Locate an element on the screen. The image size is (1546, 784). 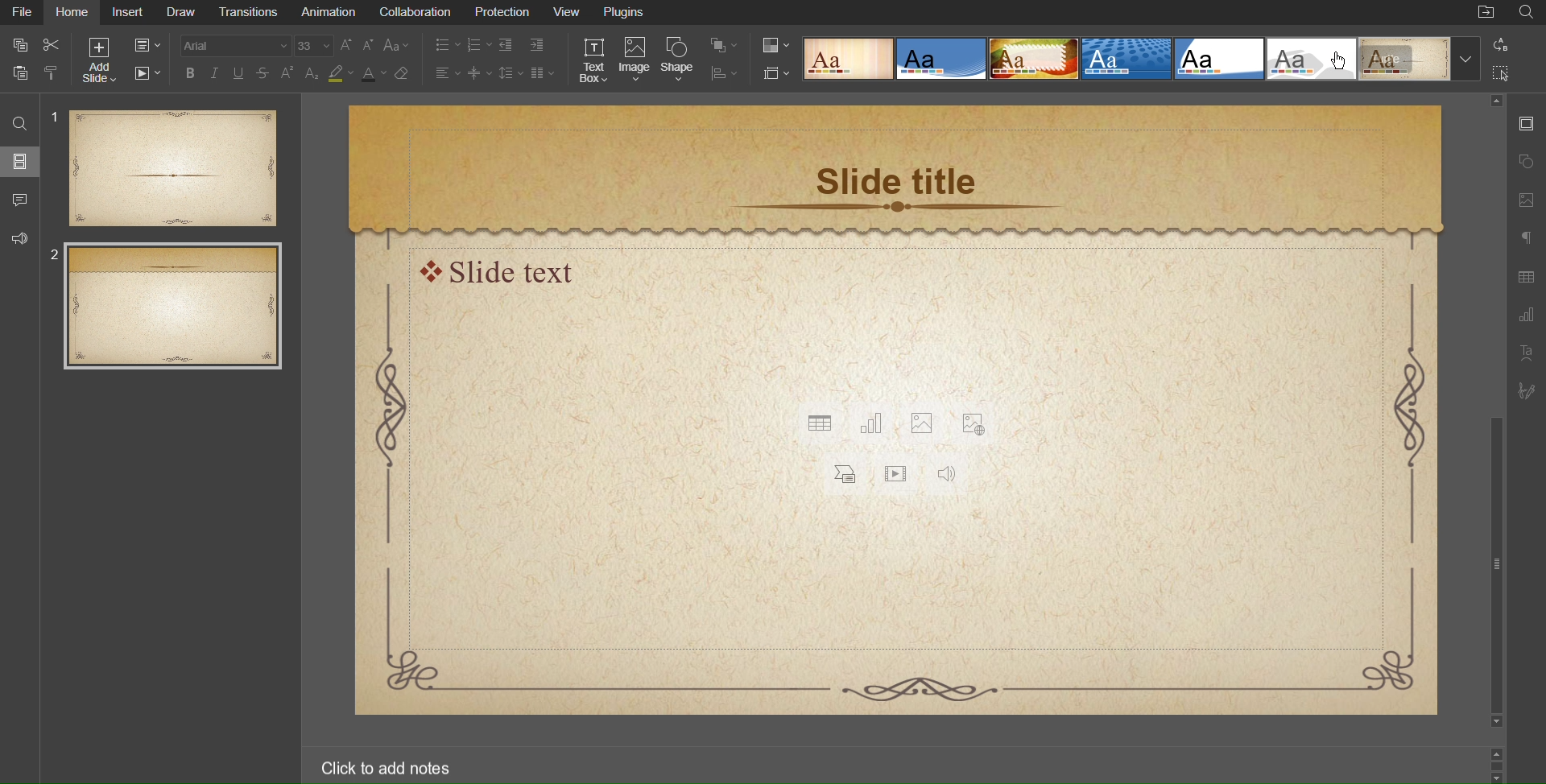
Slide 1 is located at coordinates (165, 167).